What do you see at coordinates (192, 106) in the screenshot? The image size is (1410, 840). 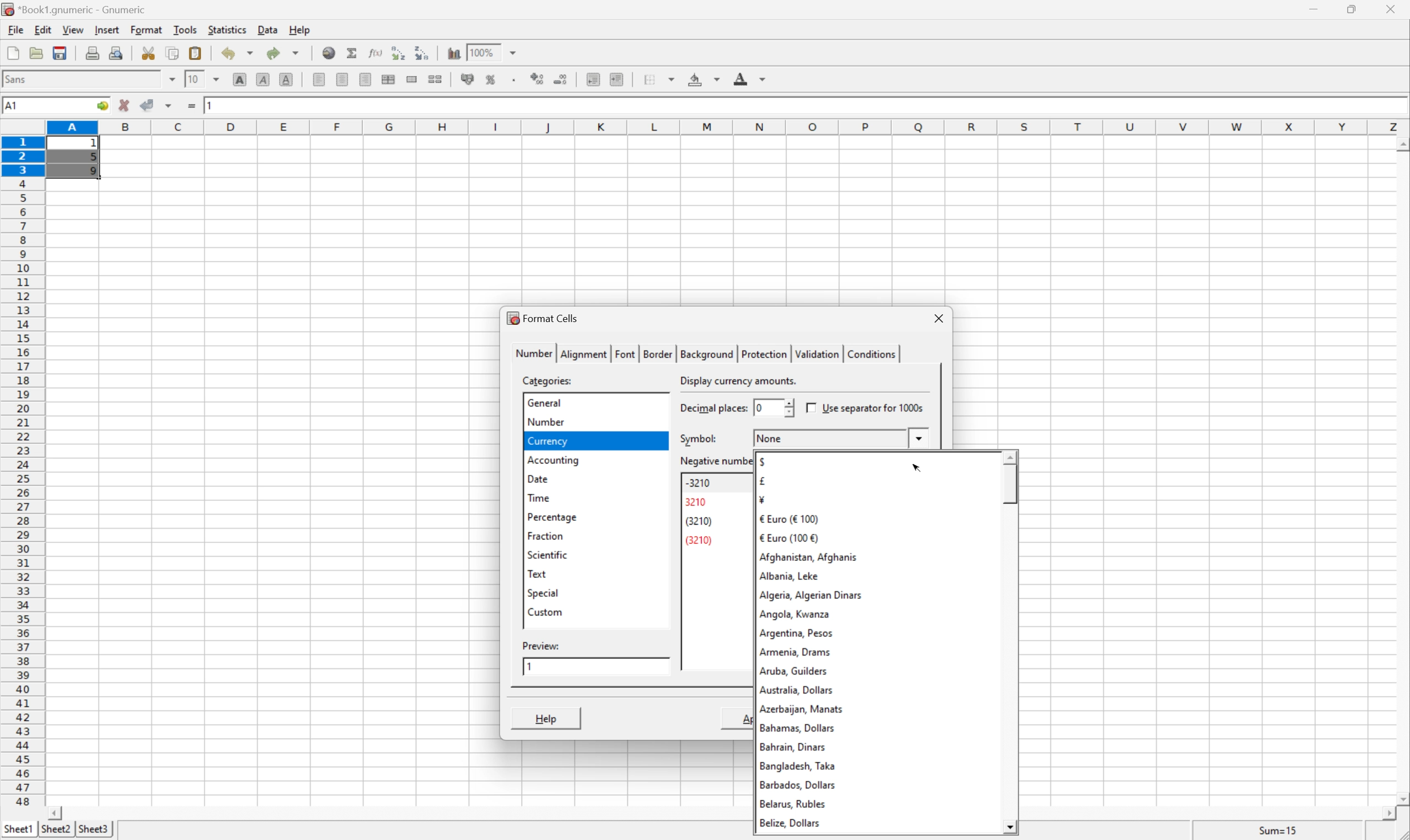 I see `enter formula` at bounding box center [192, 106].